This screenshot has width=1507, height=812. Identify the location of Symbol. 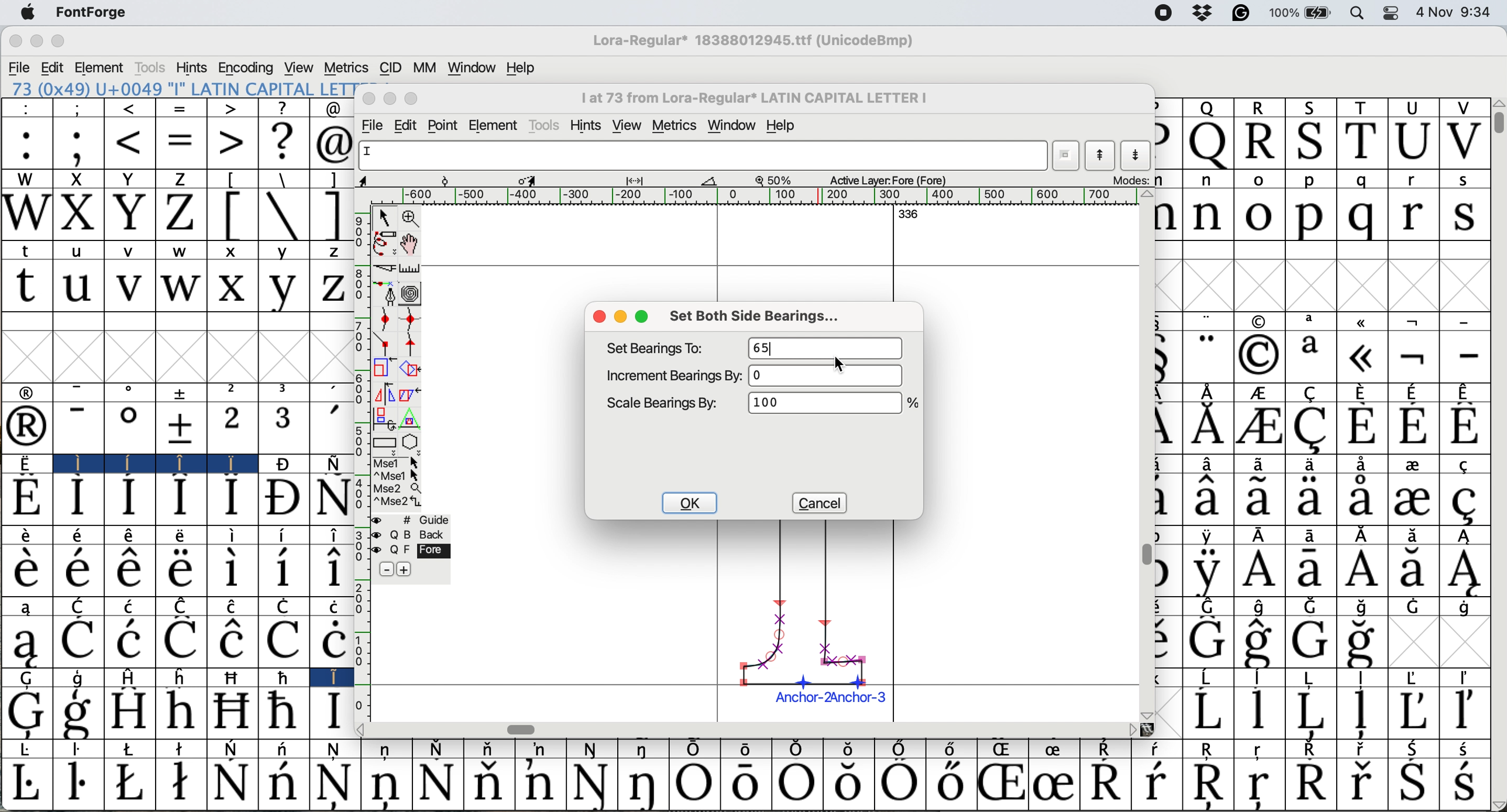
(954, 749).